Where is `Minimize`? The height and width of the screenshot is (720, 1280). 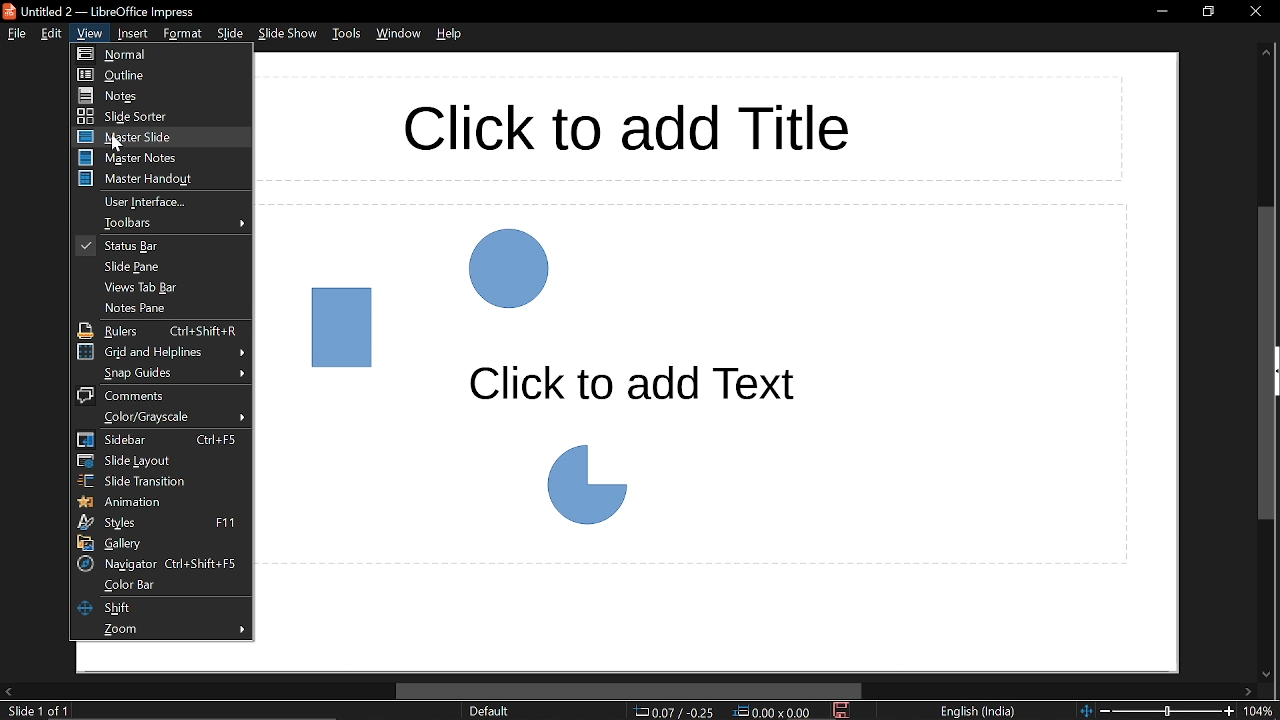
Minimize is located at coordinates (1160, 13).